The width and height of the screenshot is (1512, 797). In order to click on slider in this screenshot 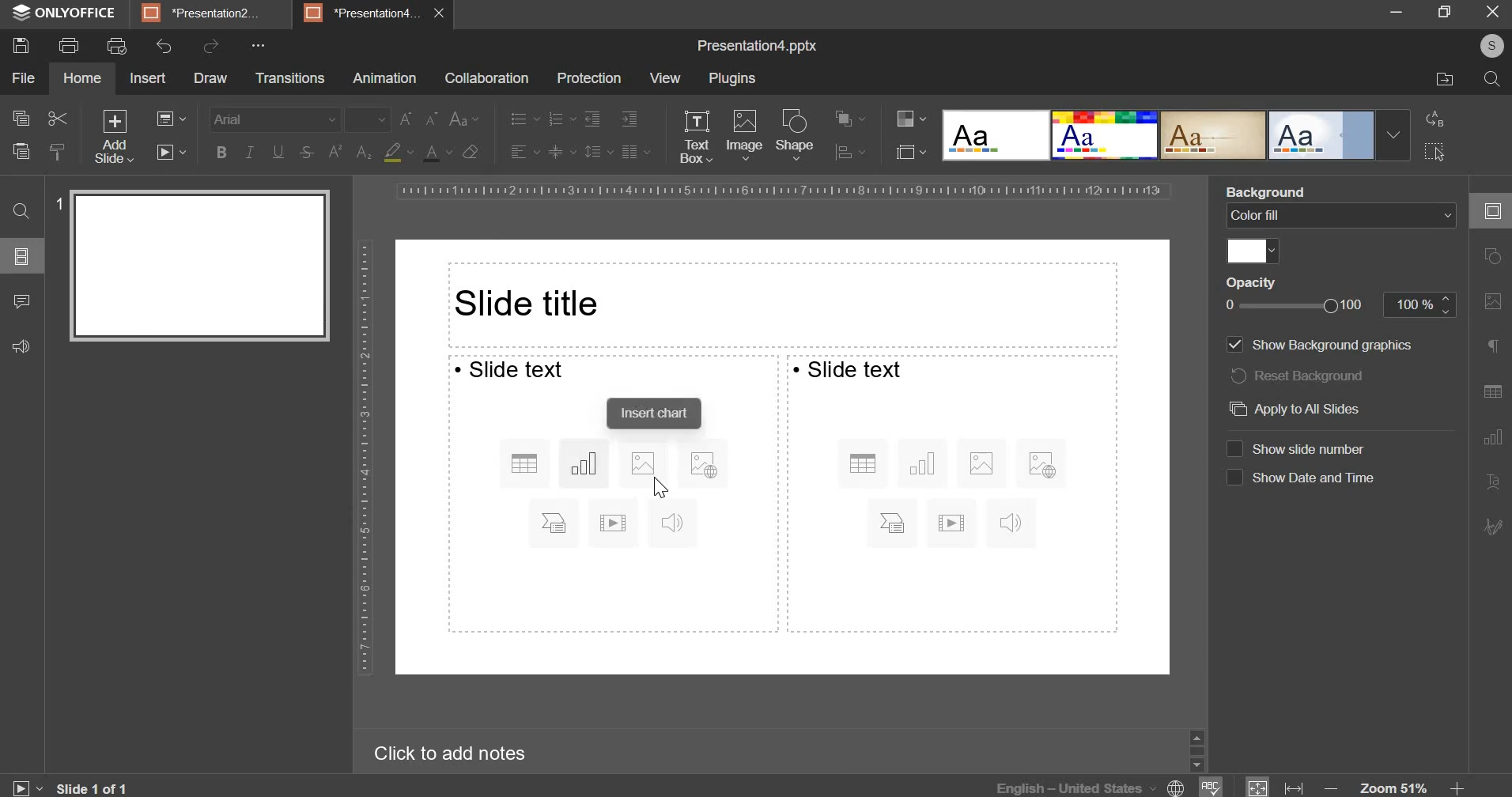, I will do `click(1196, 750)`.